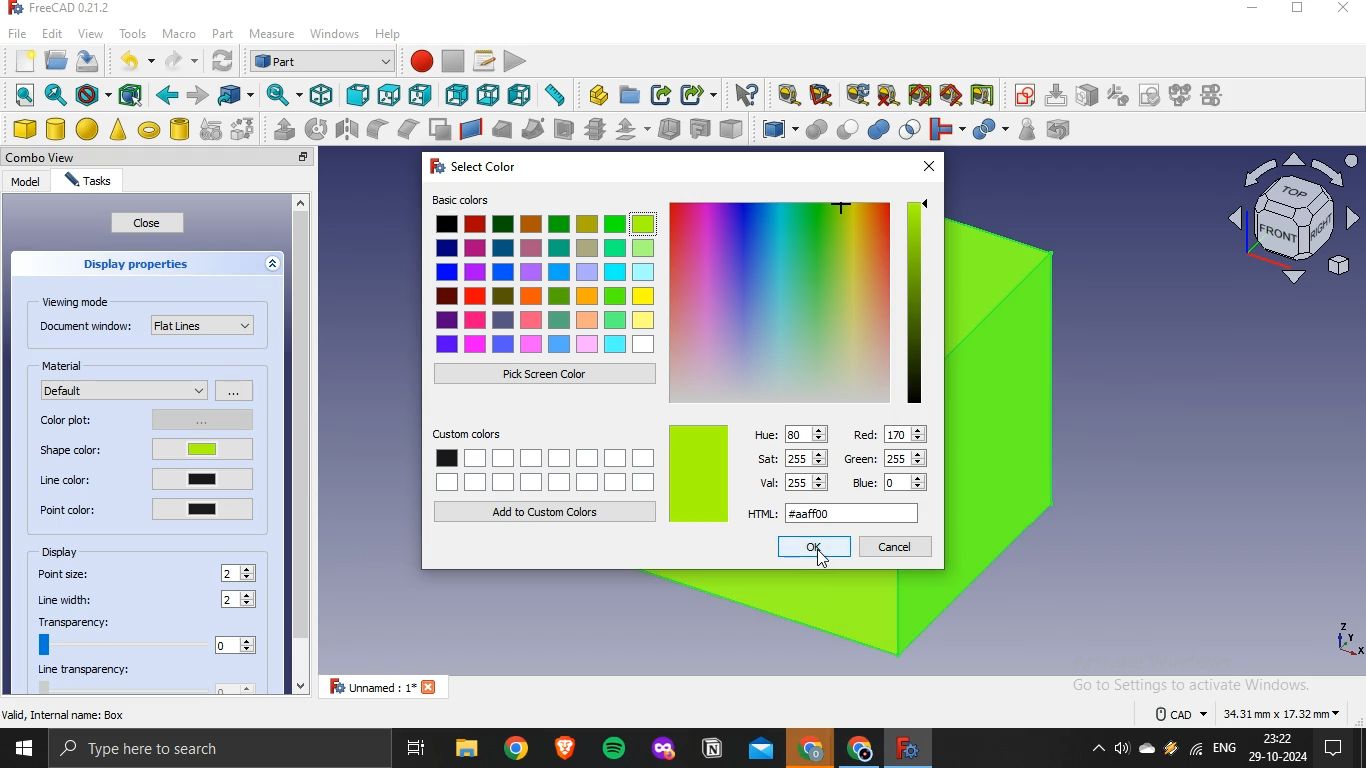  What do you see at coordinates (178, 34) in the screenshot?
I see `macro` at bounding box center [178, 34].